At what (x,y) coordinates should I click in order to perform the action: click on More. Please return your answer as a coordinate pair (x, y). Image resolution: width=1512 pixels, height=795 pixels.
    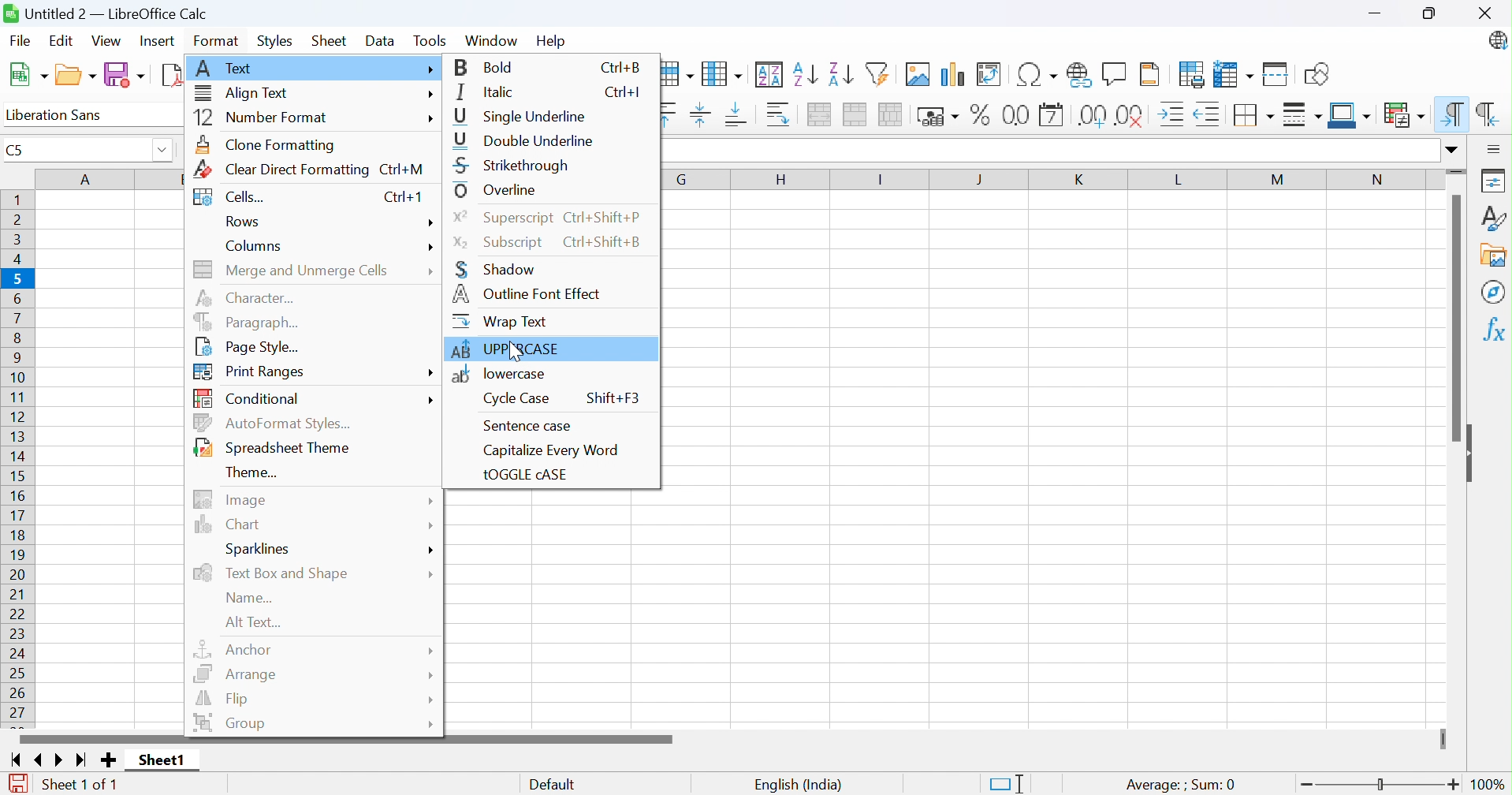
    Looking at the image, I should click on (434, 571).